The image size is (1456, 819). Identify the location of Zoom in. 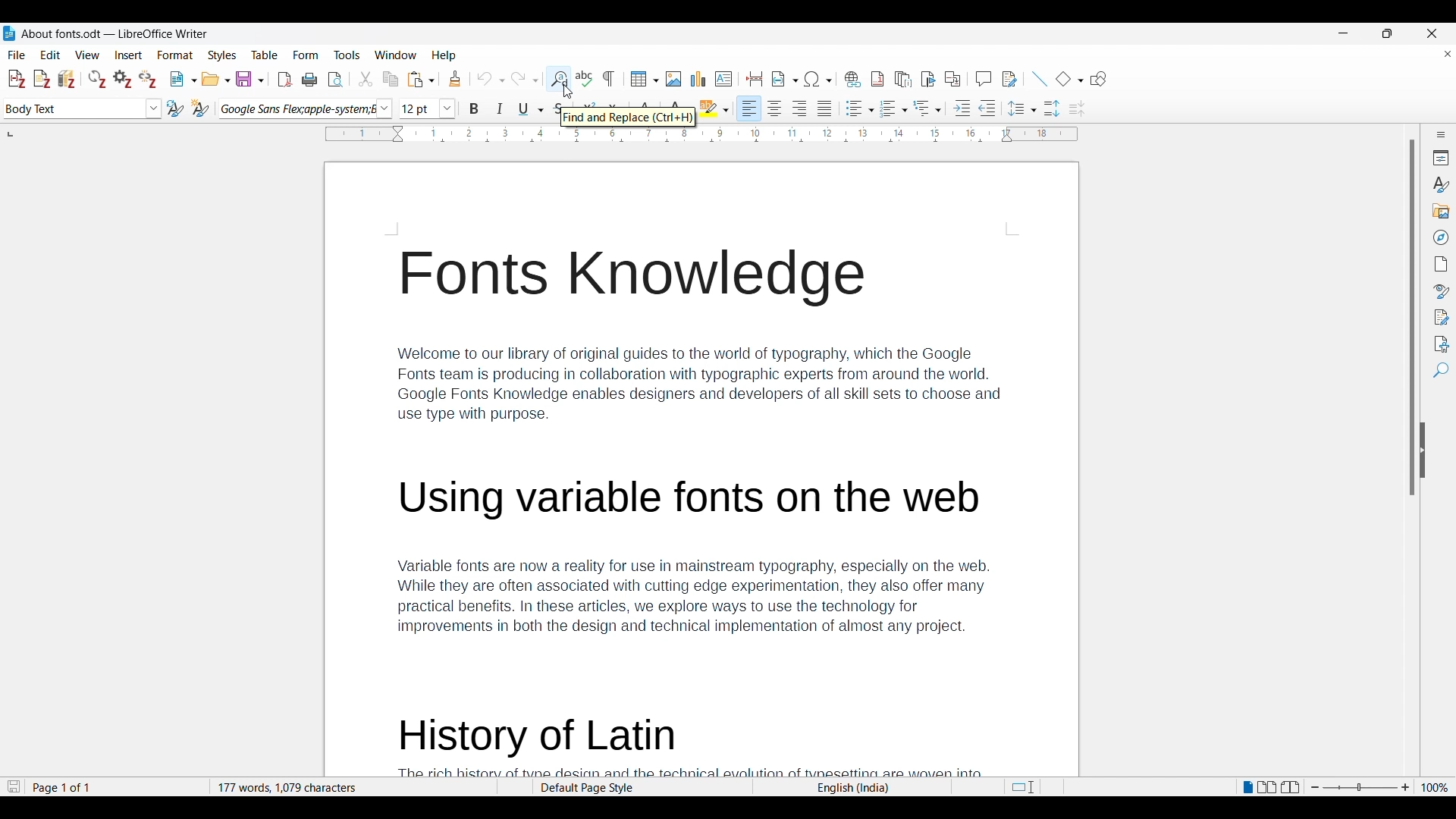
(1406, 788).